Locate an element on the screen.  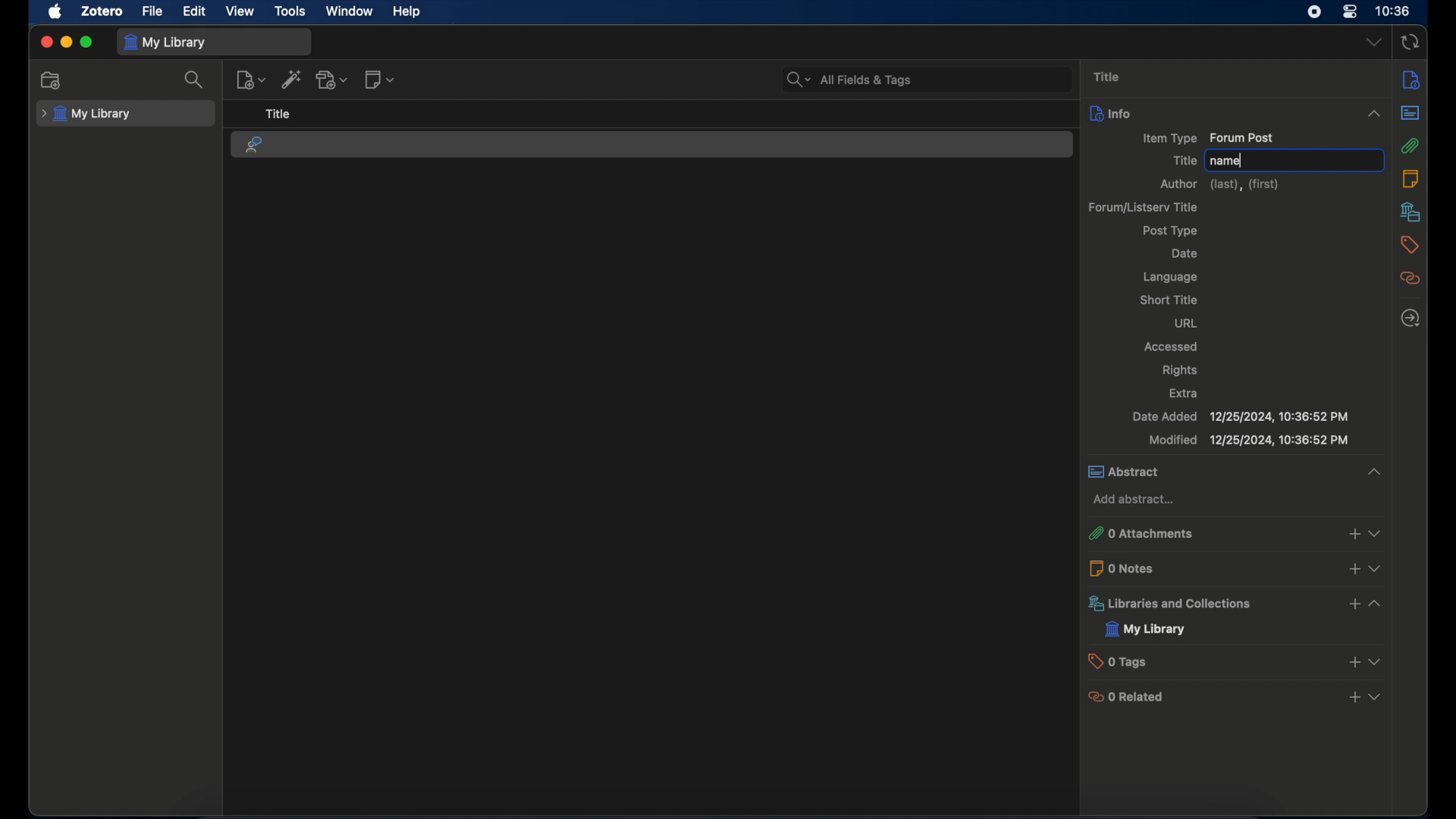
my library is located at coordinates (1146, 629).